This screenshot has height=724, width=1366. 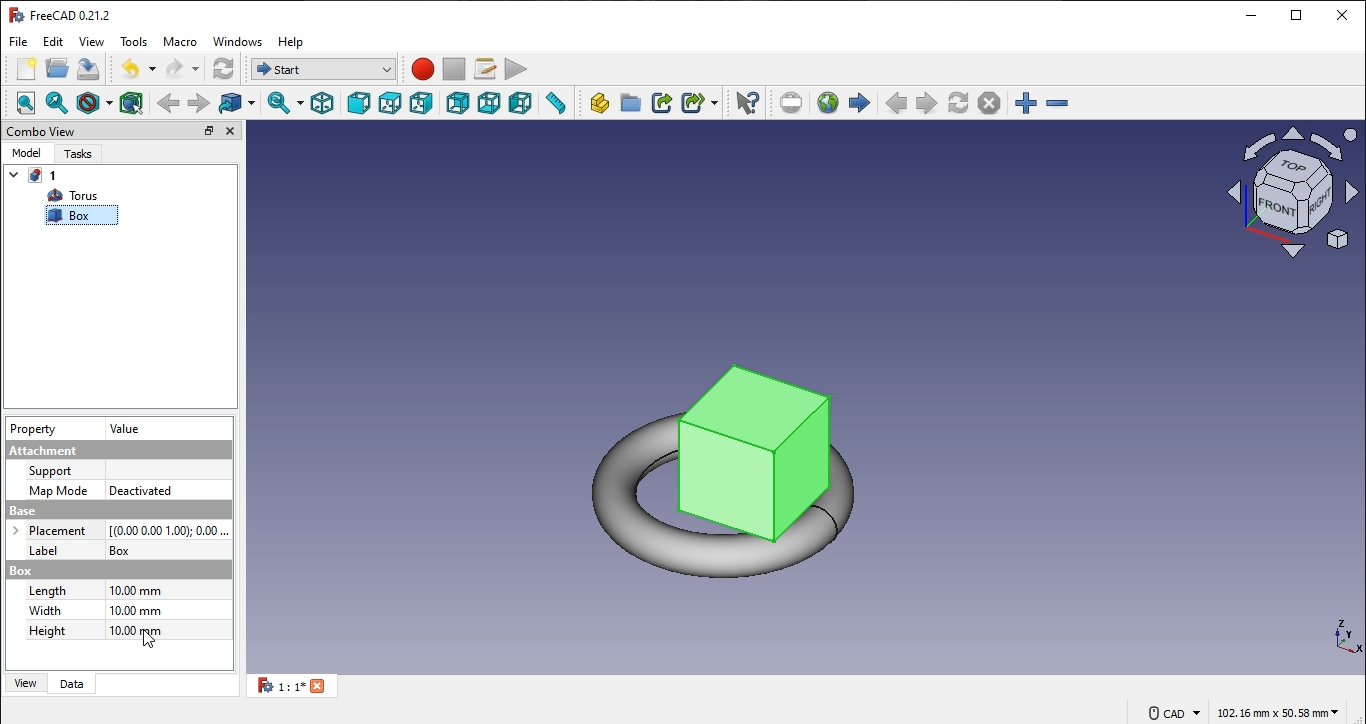 I want to click on box, so click(x=75, y=217).